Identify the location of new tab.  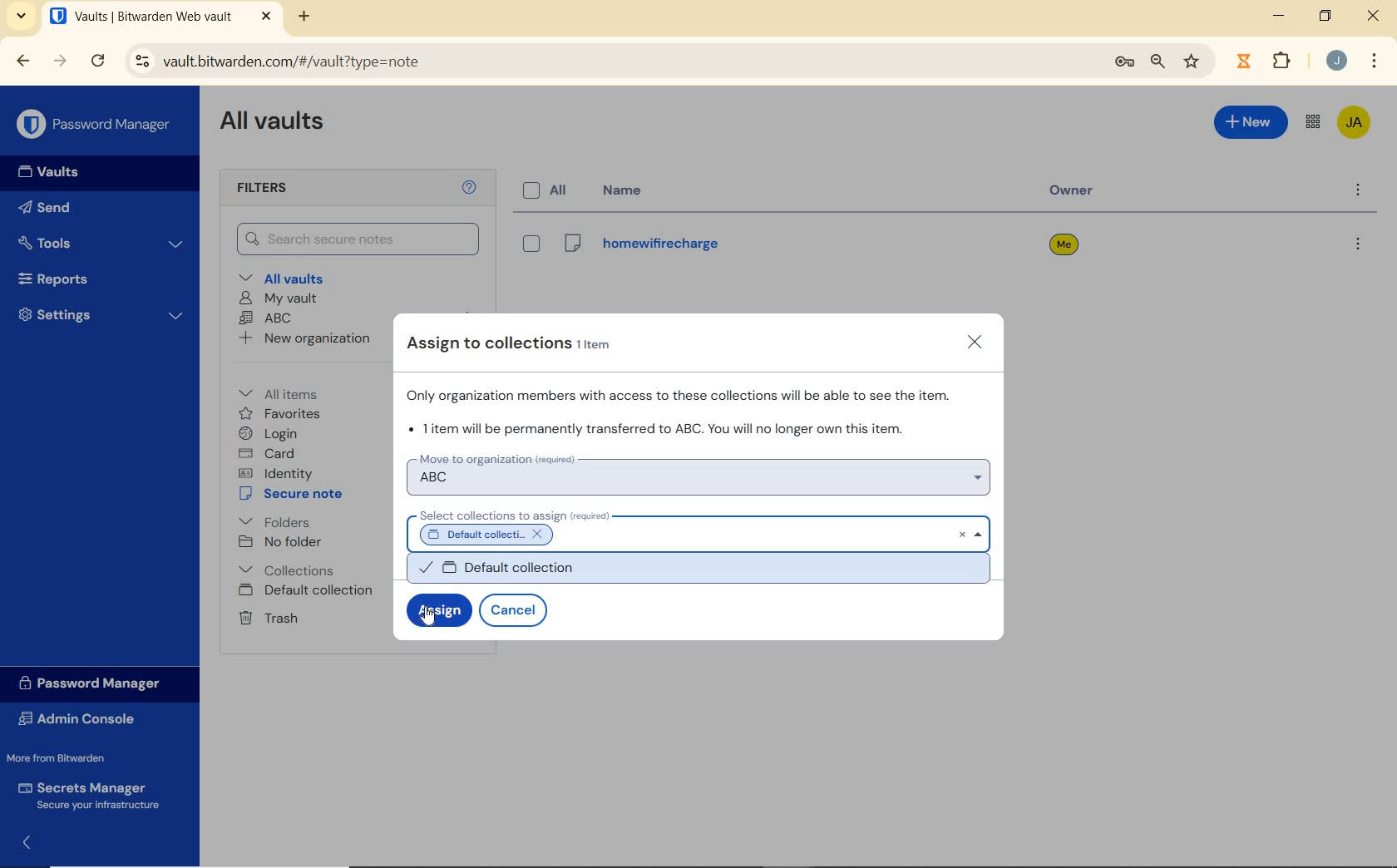
(306, 18).